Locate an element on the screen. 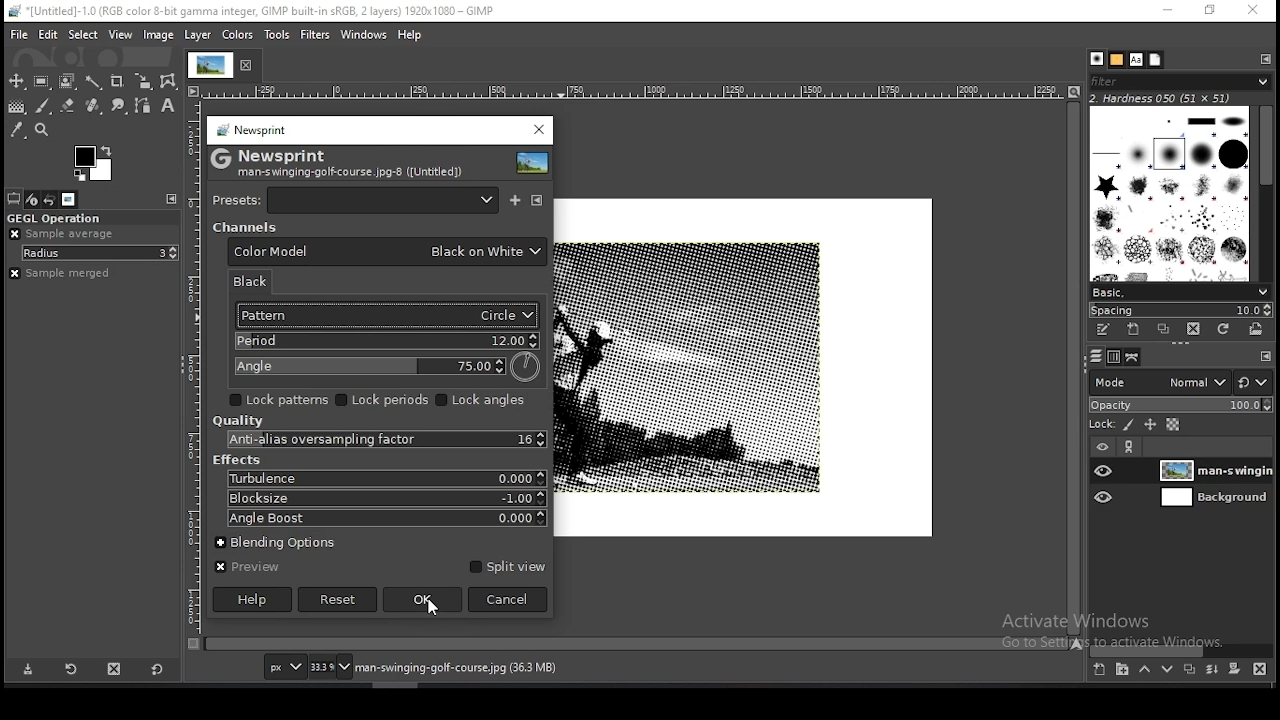 This screenshot has height=720, width=1280. ok is located at coordinates (423, 601).